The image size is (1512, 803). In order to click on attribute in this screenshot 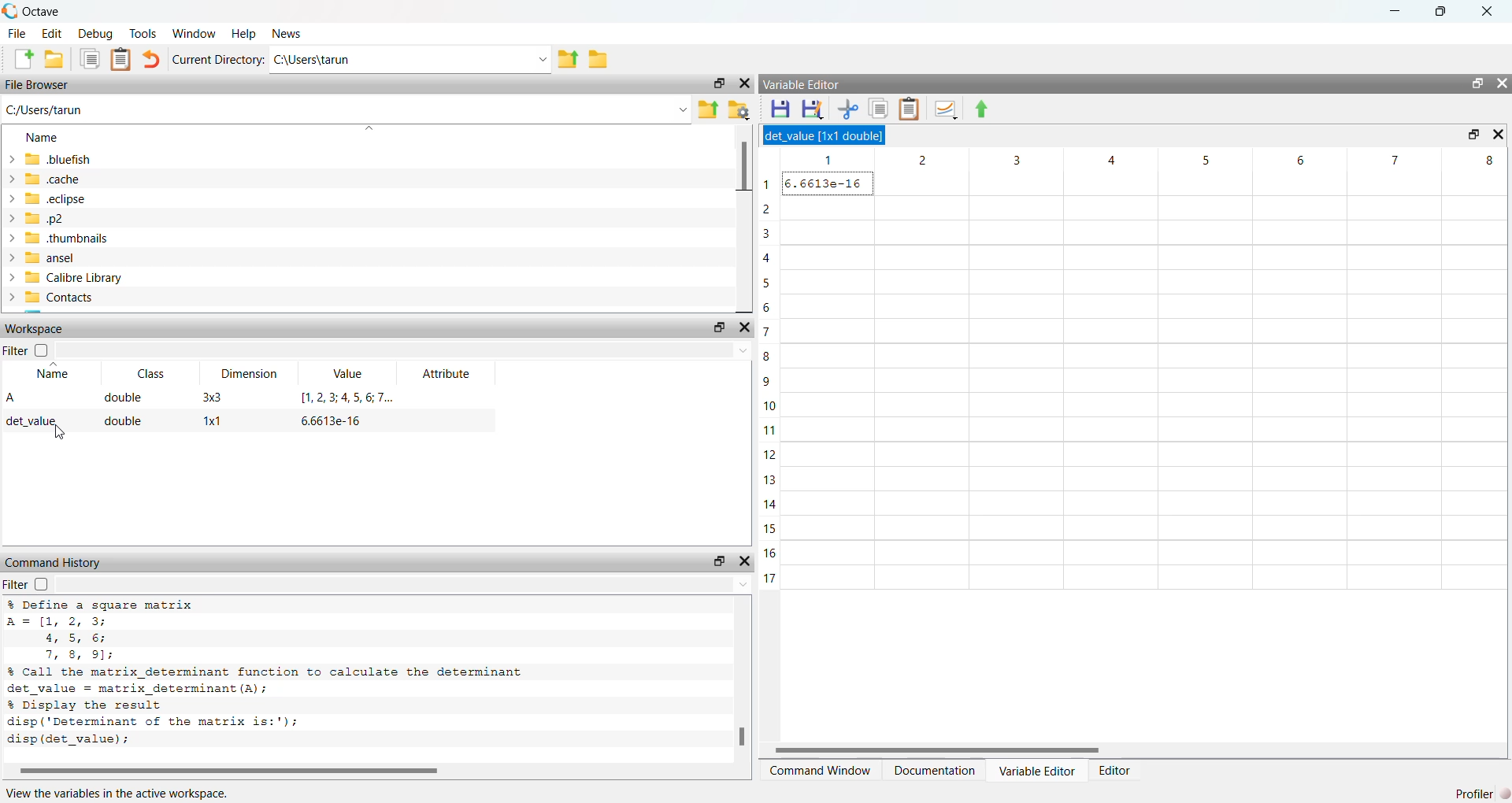, I will do `click(446, 373)`.